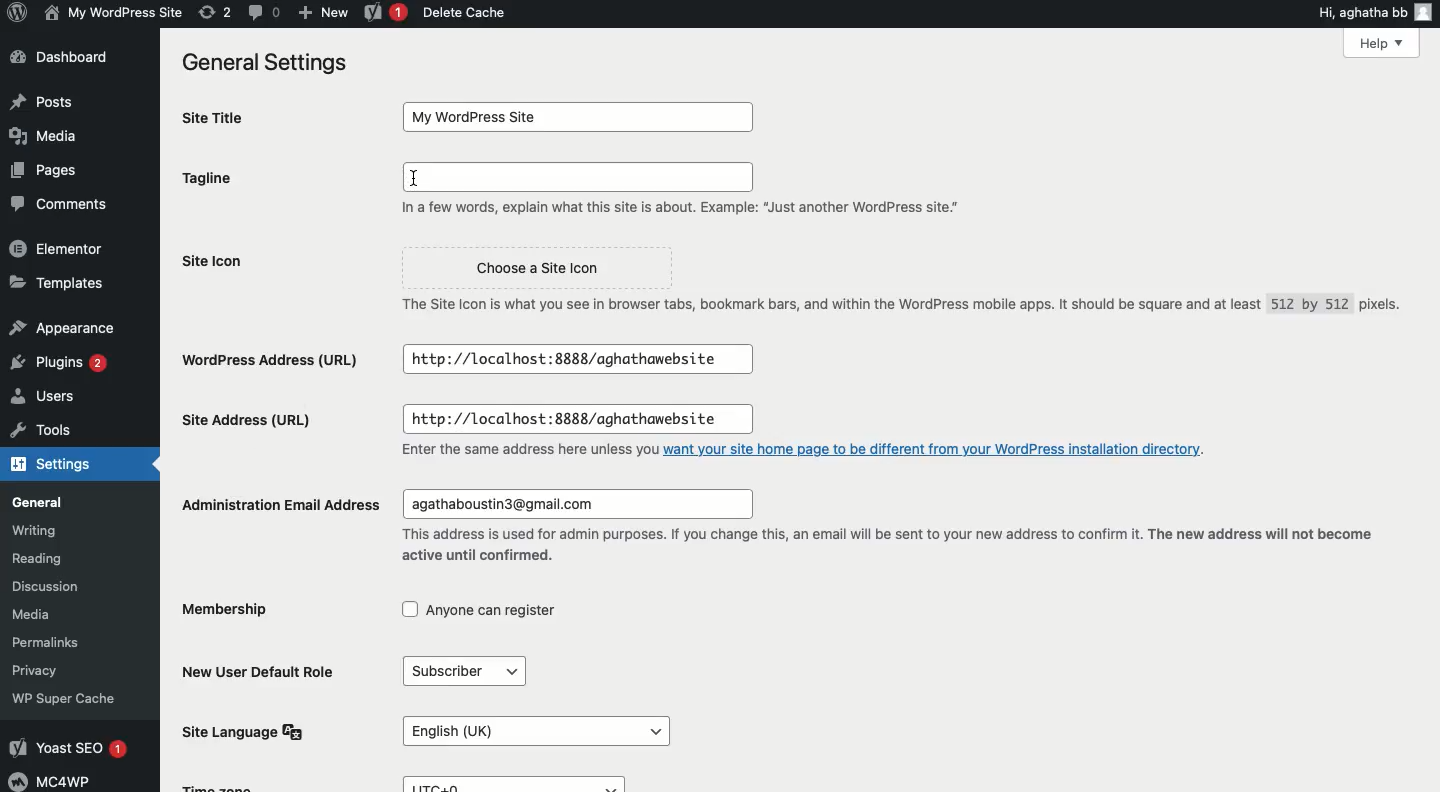 The image size is (1440, 792). I want to click on The Site Icon is what you see in browser tabs, bookmark bars, and within the WordPress mobile apps. It should be square and at least 512 by 512 pixels., so click(892, 303).